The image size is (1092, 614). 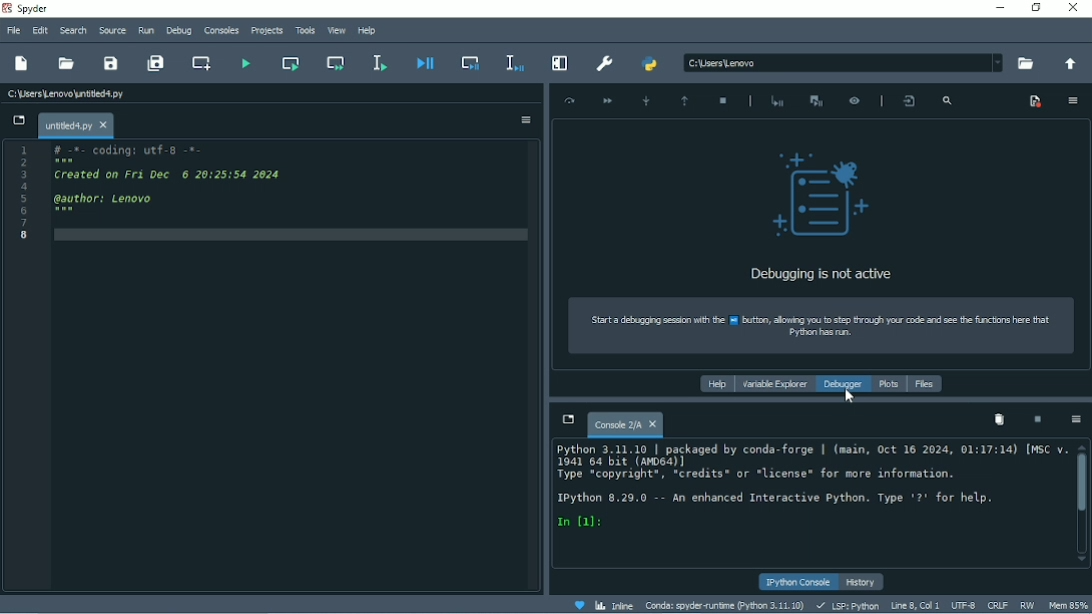 I want to click on Inline, so click(x=614, y=606).